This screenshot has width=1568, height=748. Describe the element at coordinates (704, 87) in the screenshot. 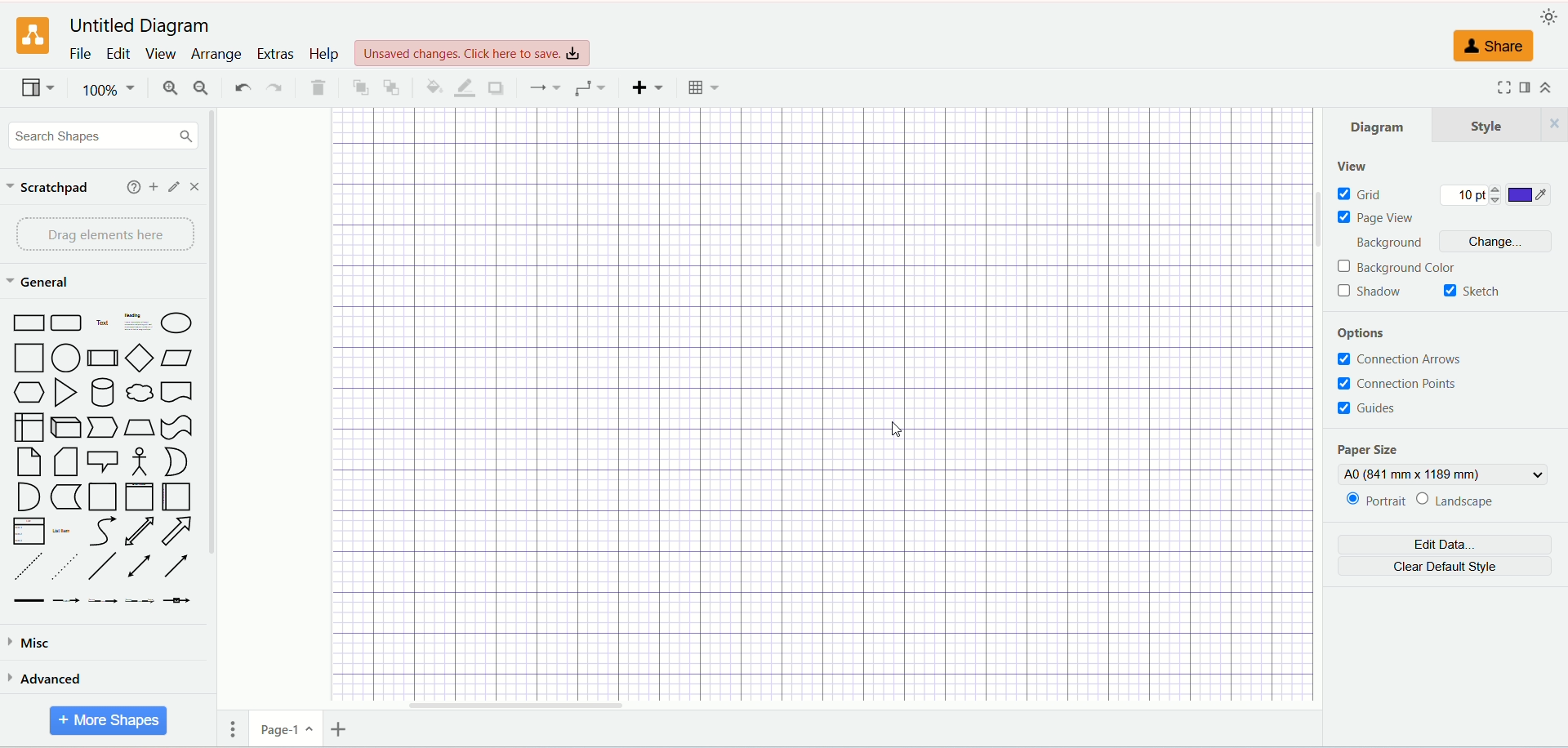

I see `Table` at that location.